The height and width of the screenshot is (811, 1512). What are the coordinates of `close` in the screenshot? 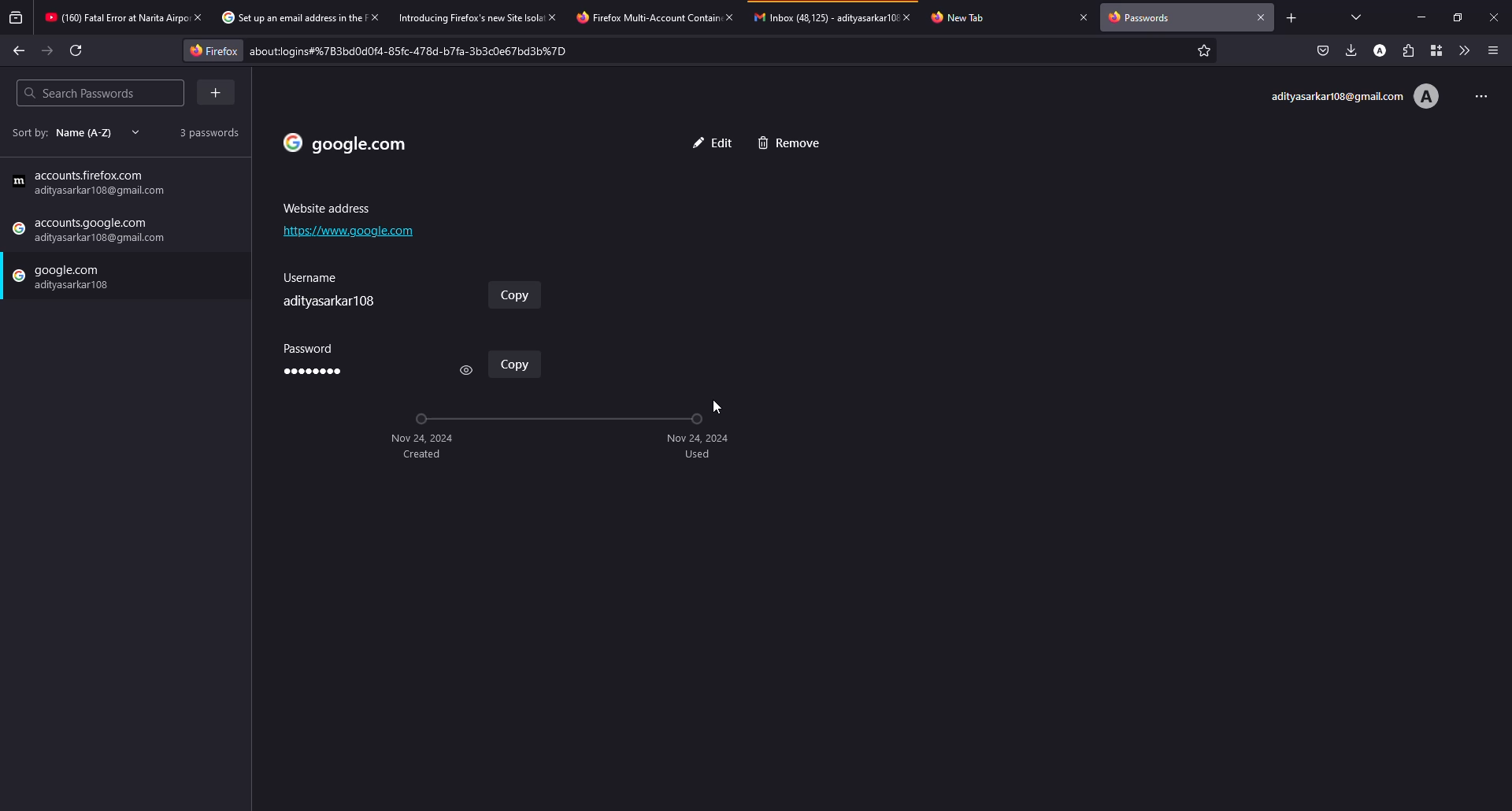 It's located at (728, 17).